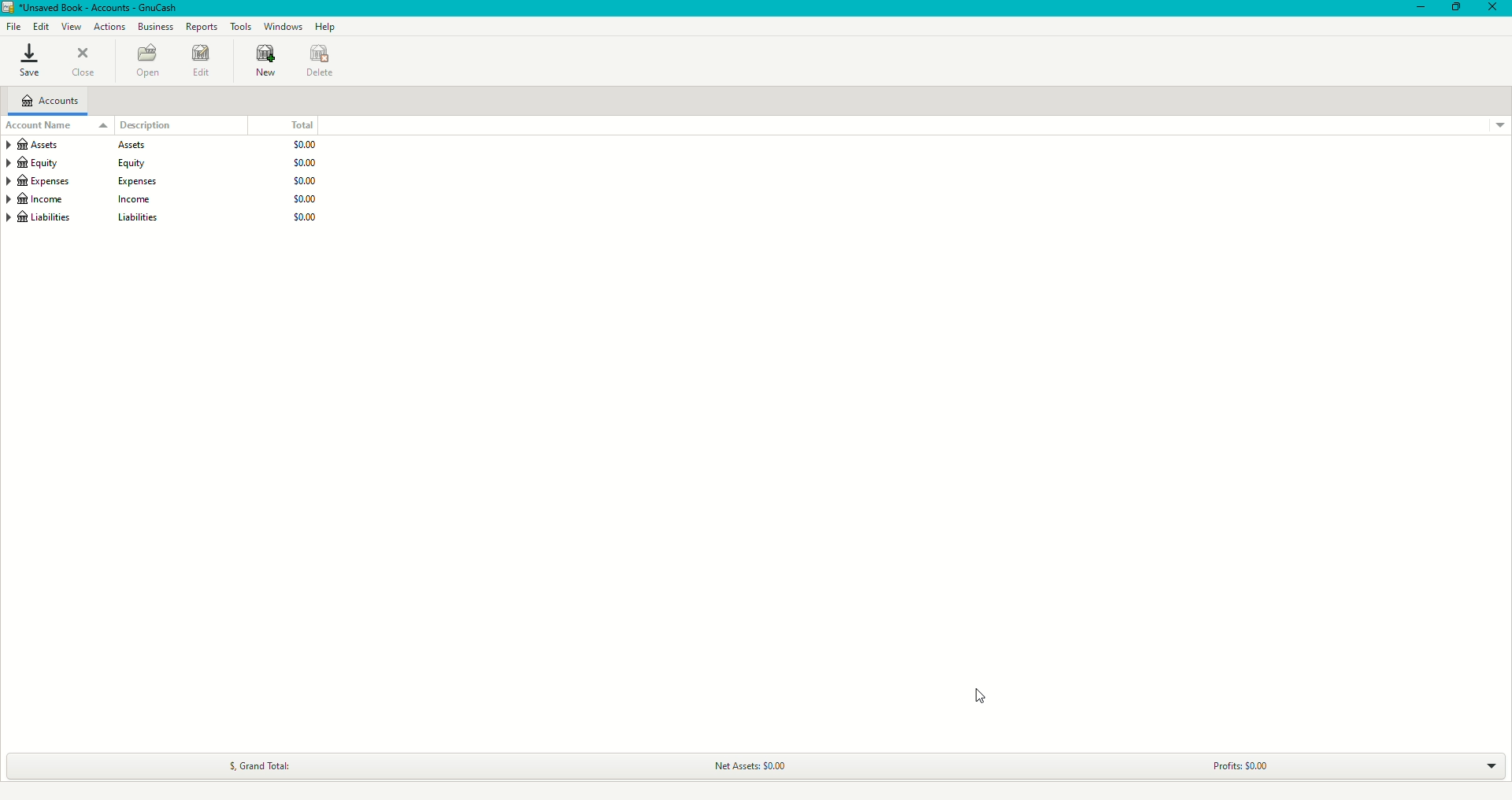 This screenshot has width=1512, height=800. I want to click on Cursor, so click(981, 698).